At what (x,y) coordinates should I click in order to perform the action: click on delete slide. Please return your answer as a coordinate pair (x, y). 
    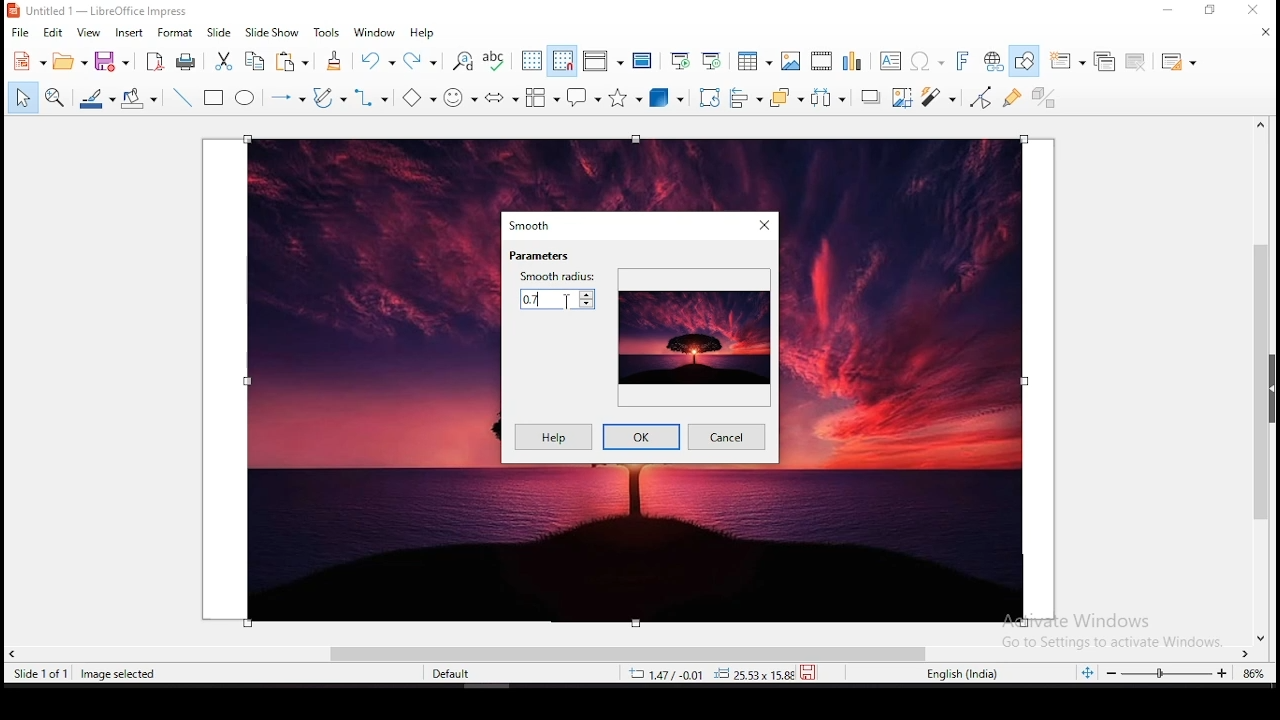
    Looking at the image, I should click on (1136, 61).